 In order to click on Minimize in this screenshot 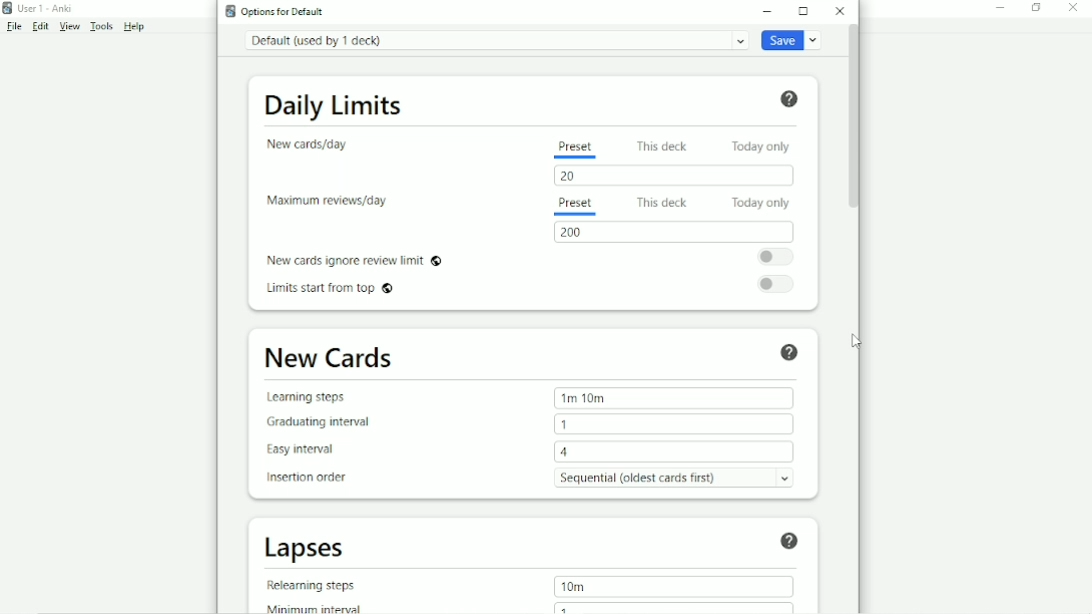, I will do `click(1001, 9)`.